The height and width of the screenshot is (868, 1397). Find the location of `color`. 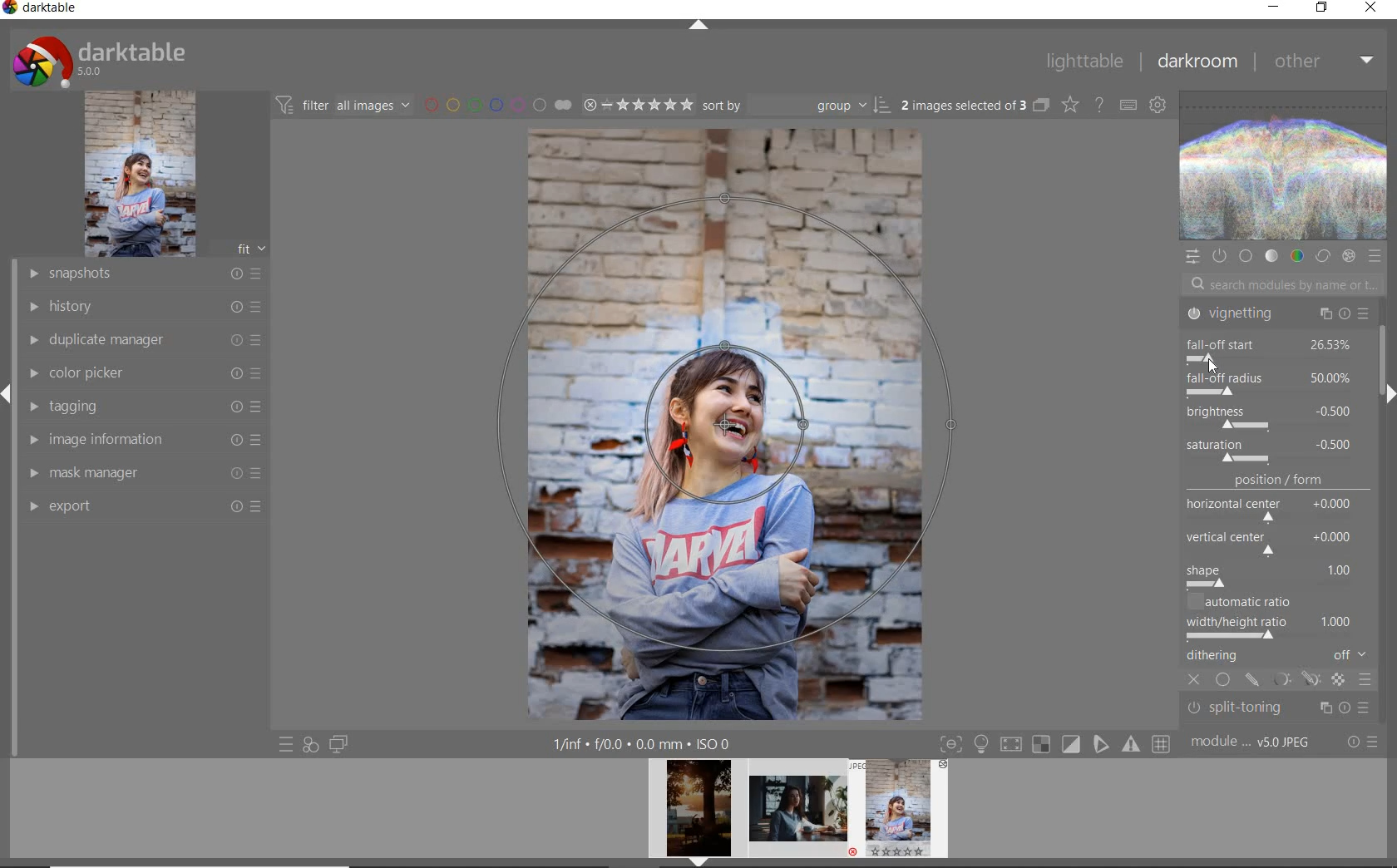

color is located at coordinates (1296, 255).